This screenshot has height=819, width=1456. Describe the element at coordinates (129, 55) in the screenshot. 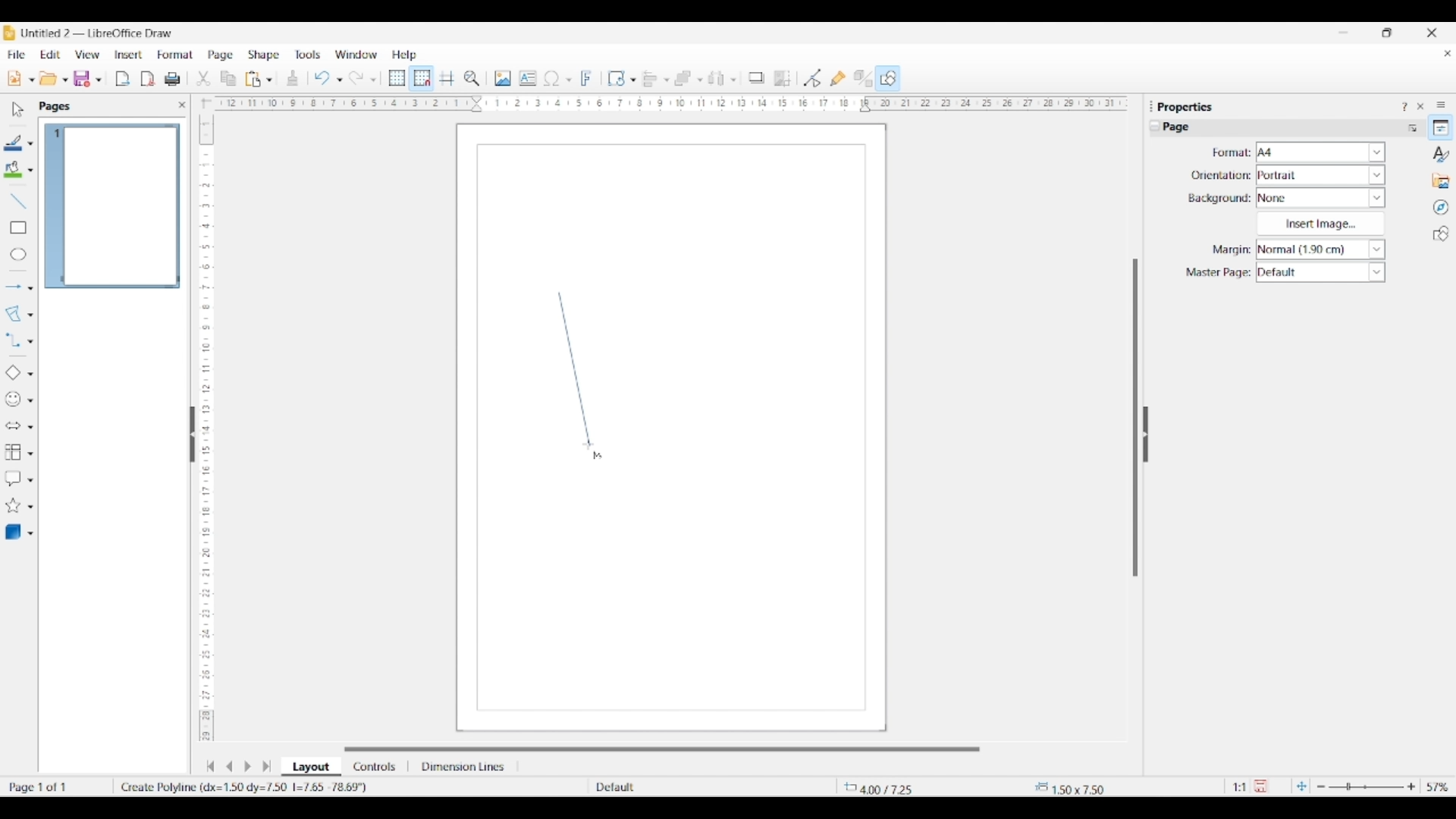

I see `Insert` at that location.